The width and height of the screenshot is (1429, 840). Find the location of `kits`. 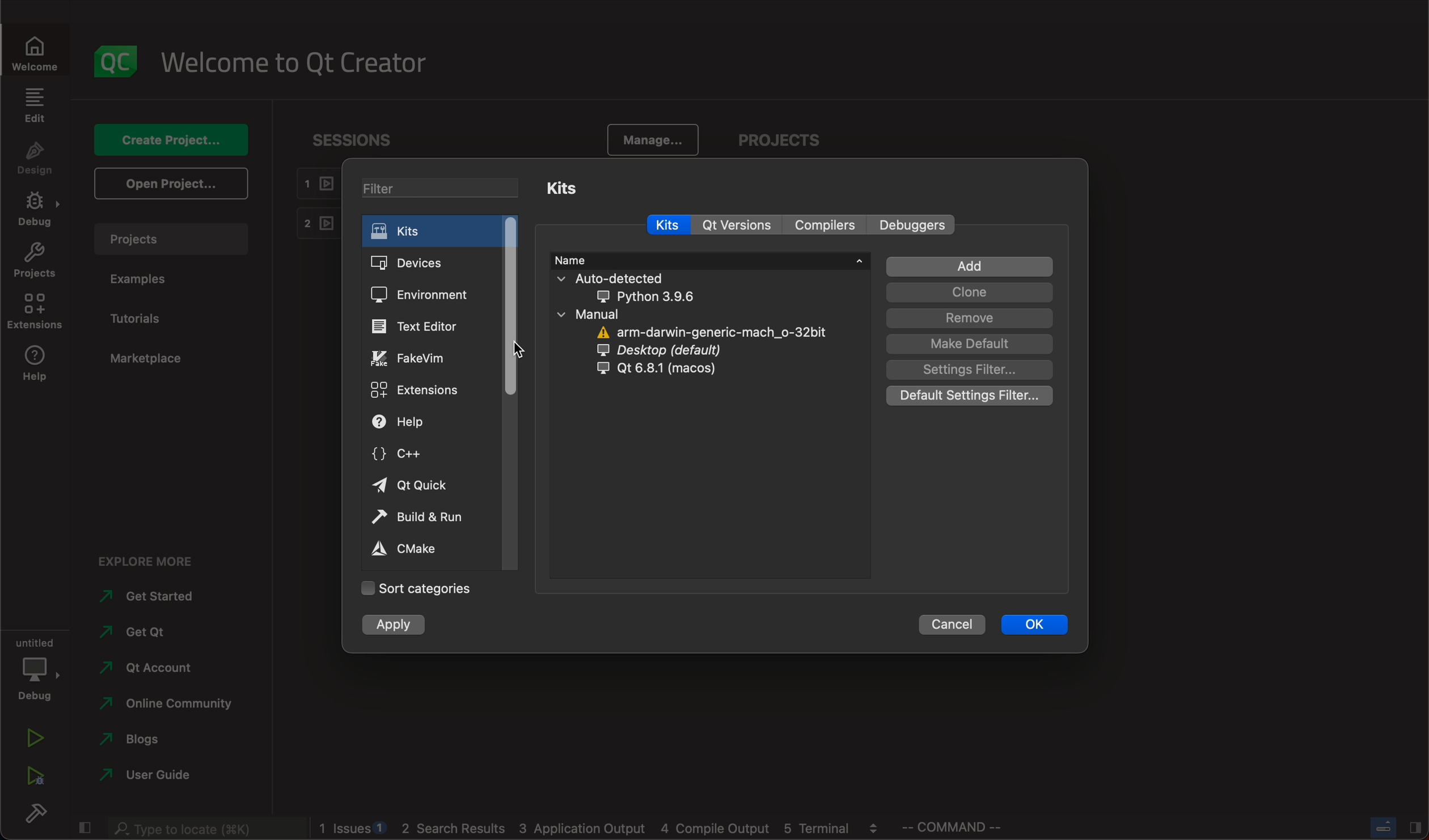

kits is located at coordinates (566, 192).